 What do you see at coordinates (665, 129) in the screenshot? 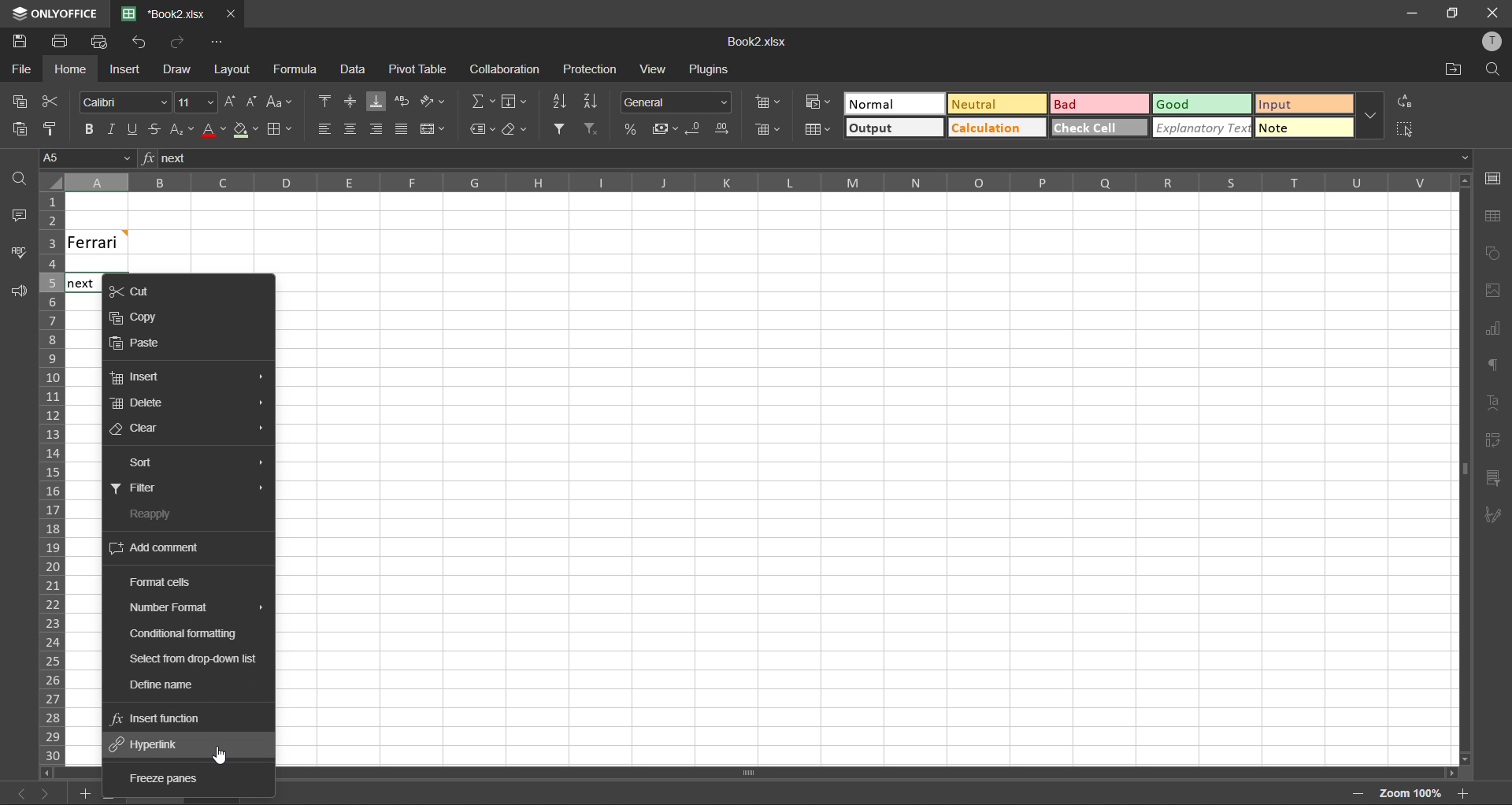
I see `accounting` at bounding box center [665, 129].